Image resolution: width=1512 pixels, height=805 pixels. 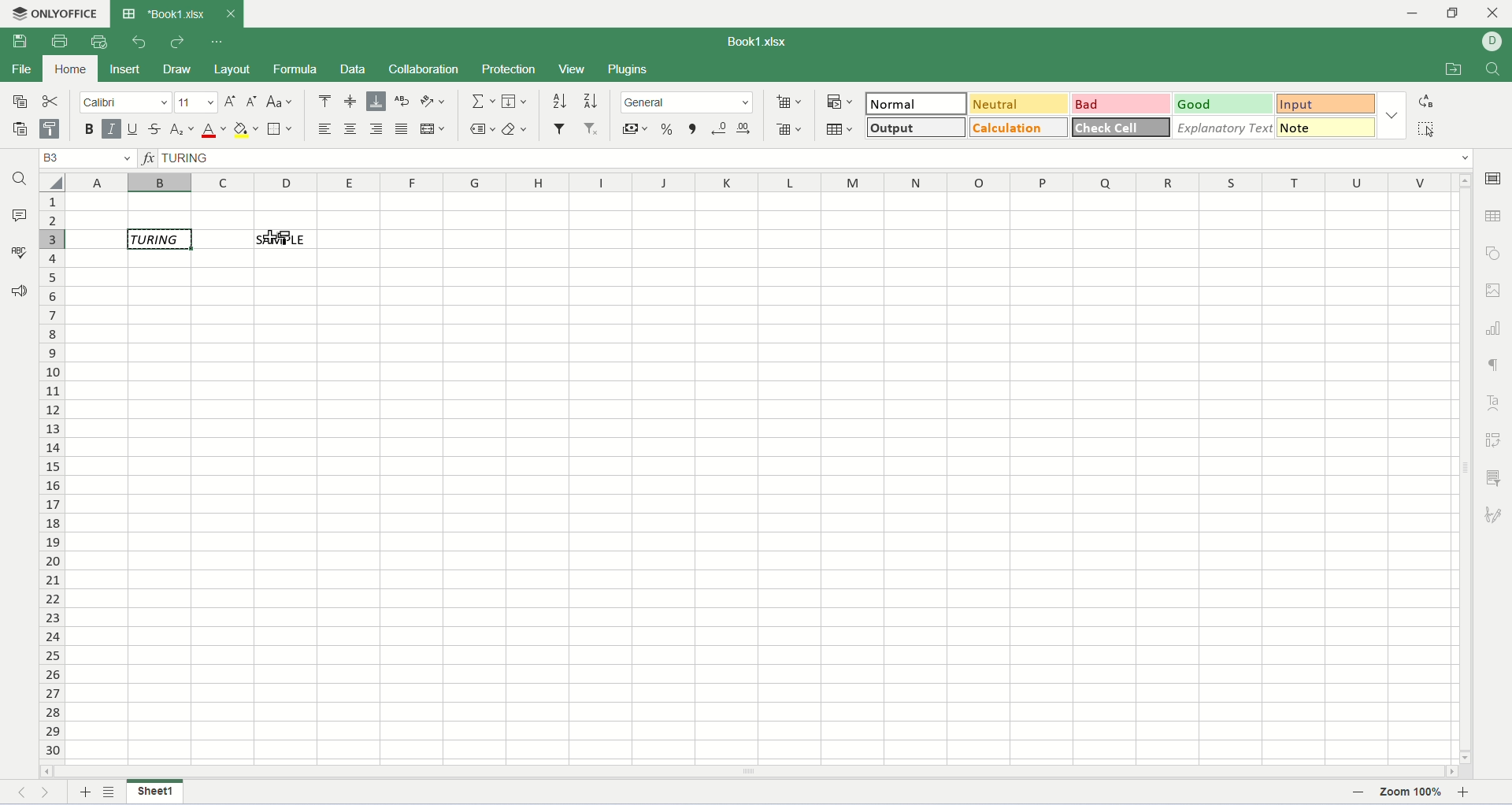 I want to click on calculation, so click(x=1021, y=127).